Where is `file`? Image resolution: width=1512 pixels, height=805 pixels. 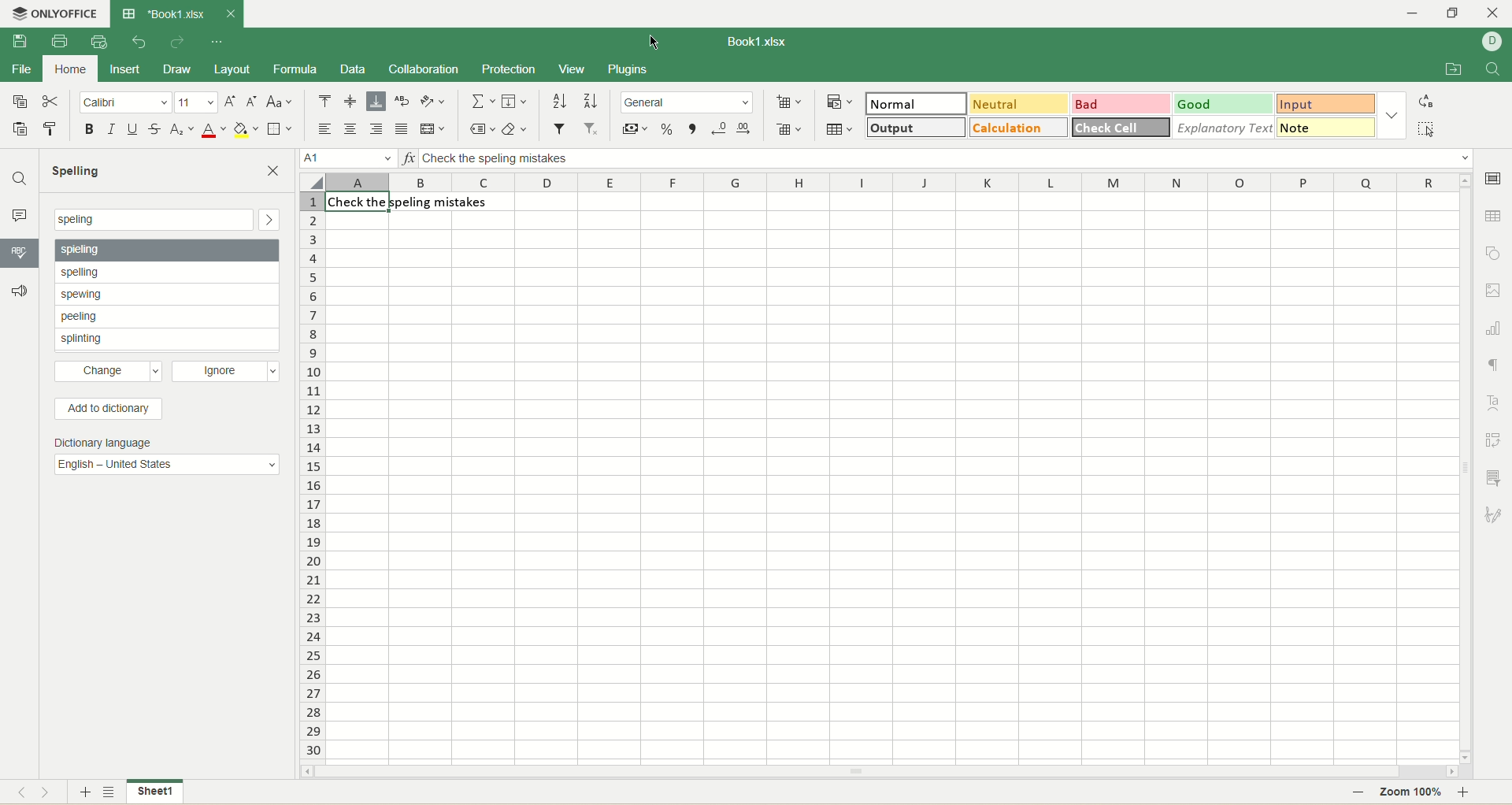
file is located at coordinates (23, 70).